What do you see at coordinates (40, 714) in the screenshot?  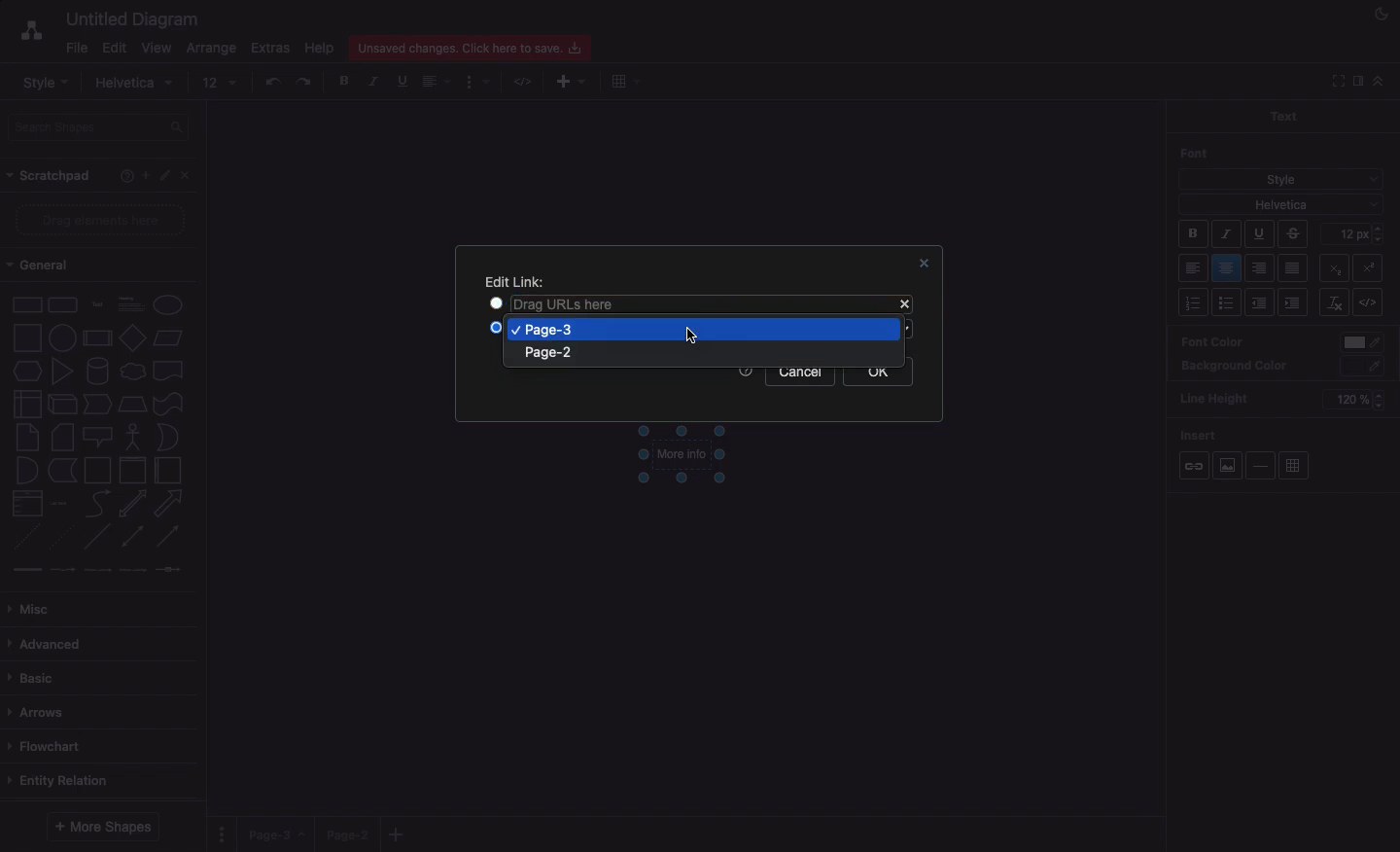 I see `Arrows` at bounding box center [40, 714].